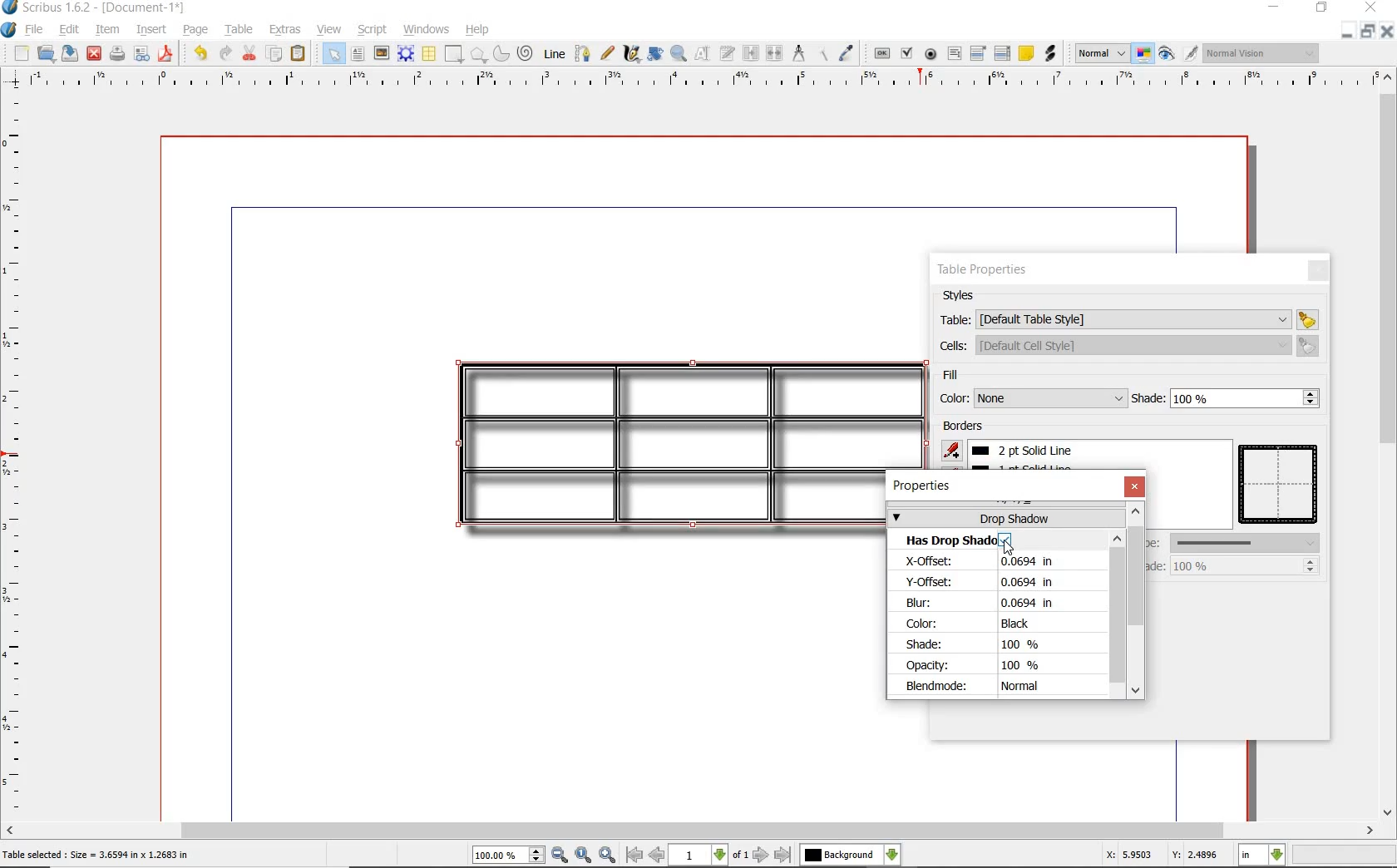 This screenshot has height=868, width=1397. What do you see at coordinates (703, 54) in the screenshot?
I see `edit content of frame` at bounding box center [703, 54].